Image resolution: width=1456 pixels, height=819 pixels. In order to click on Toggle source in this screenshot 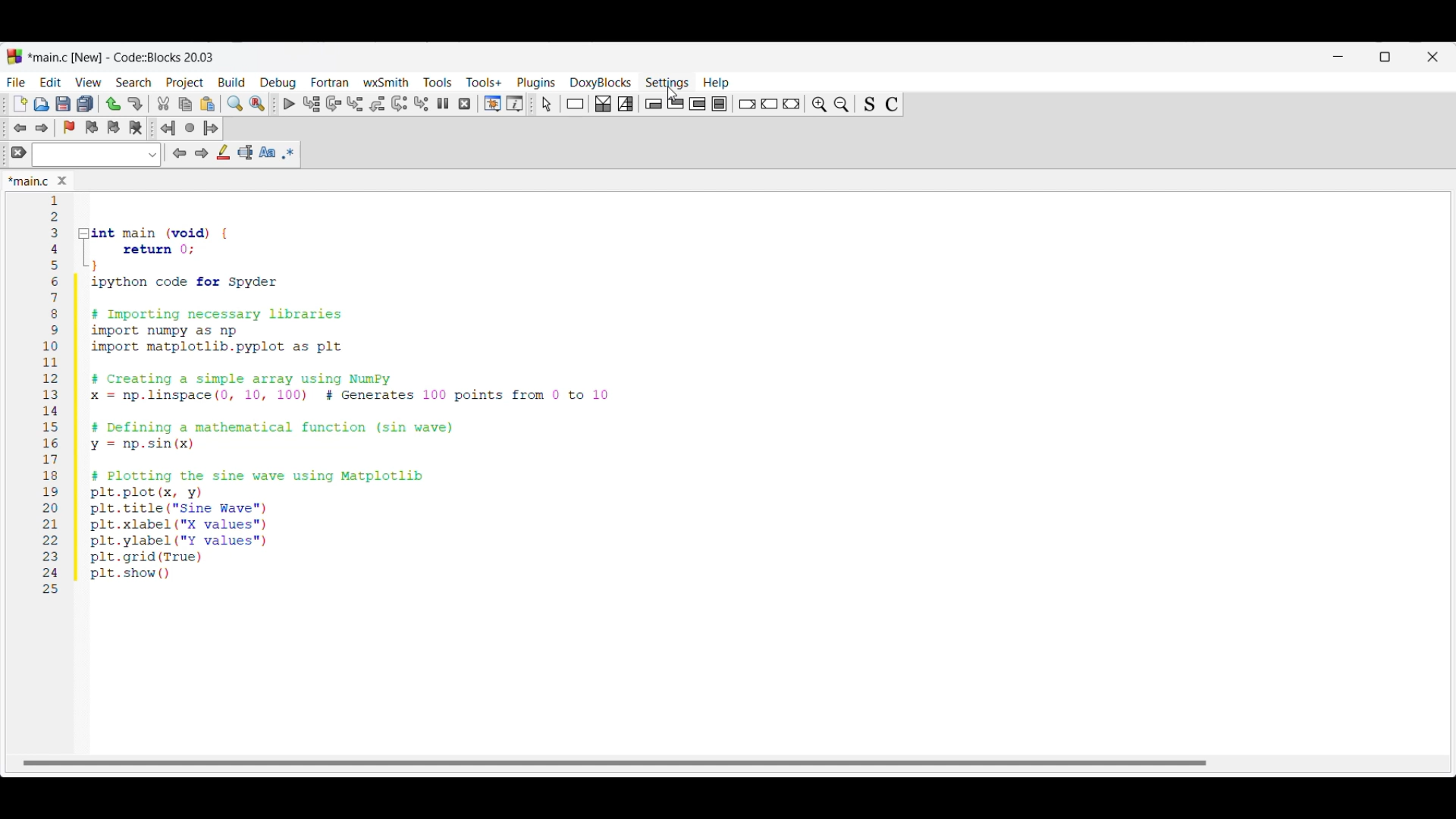, I will do `click(869, 105)`.